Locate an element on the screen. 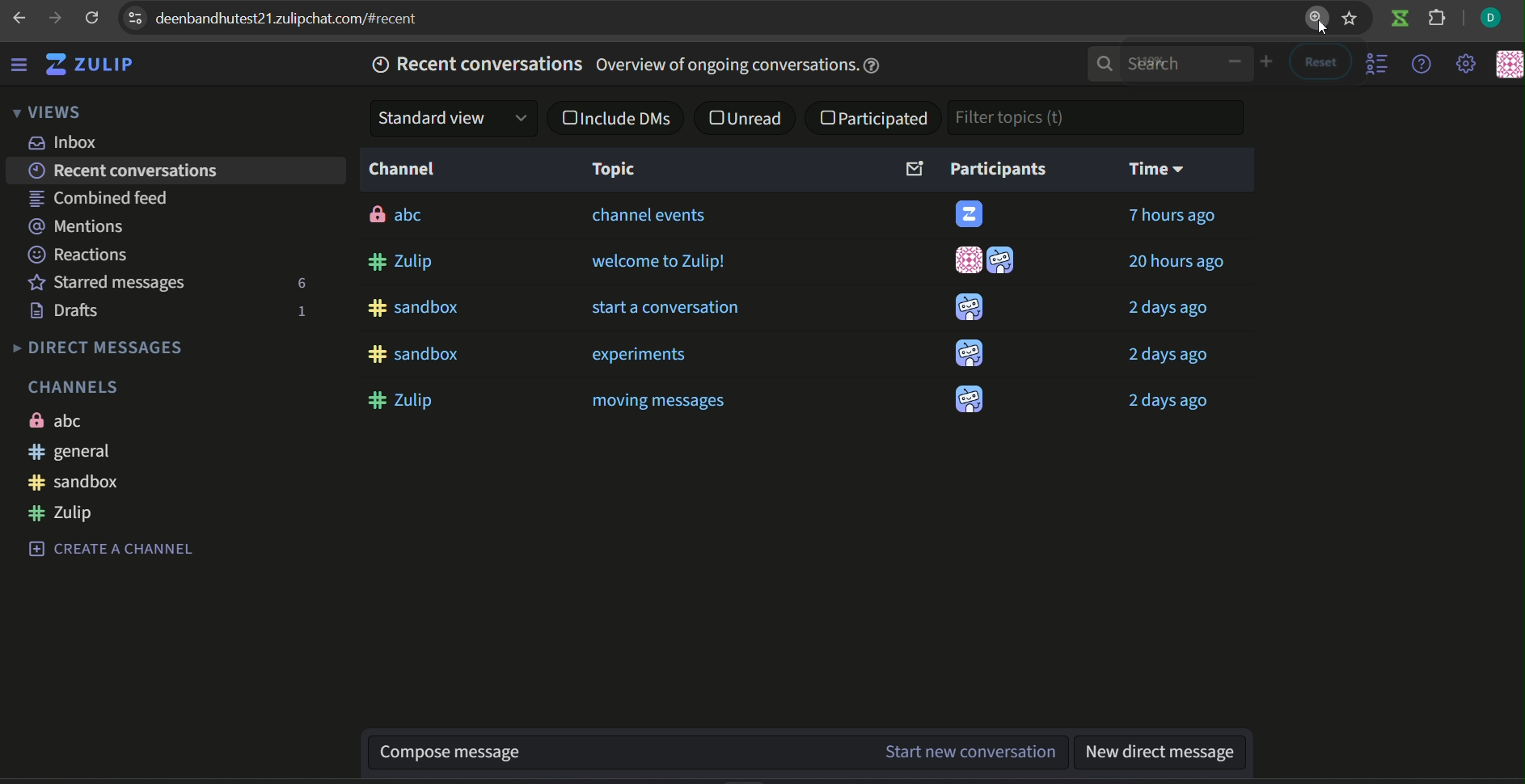 The image size is (1525, 784). next page is located at coordinates (55, 18).